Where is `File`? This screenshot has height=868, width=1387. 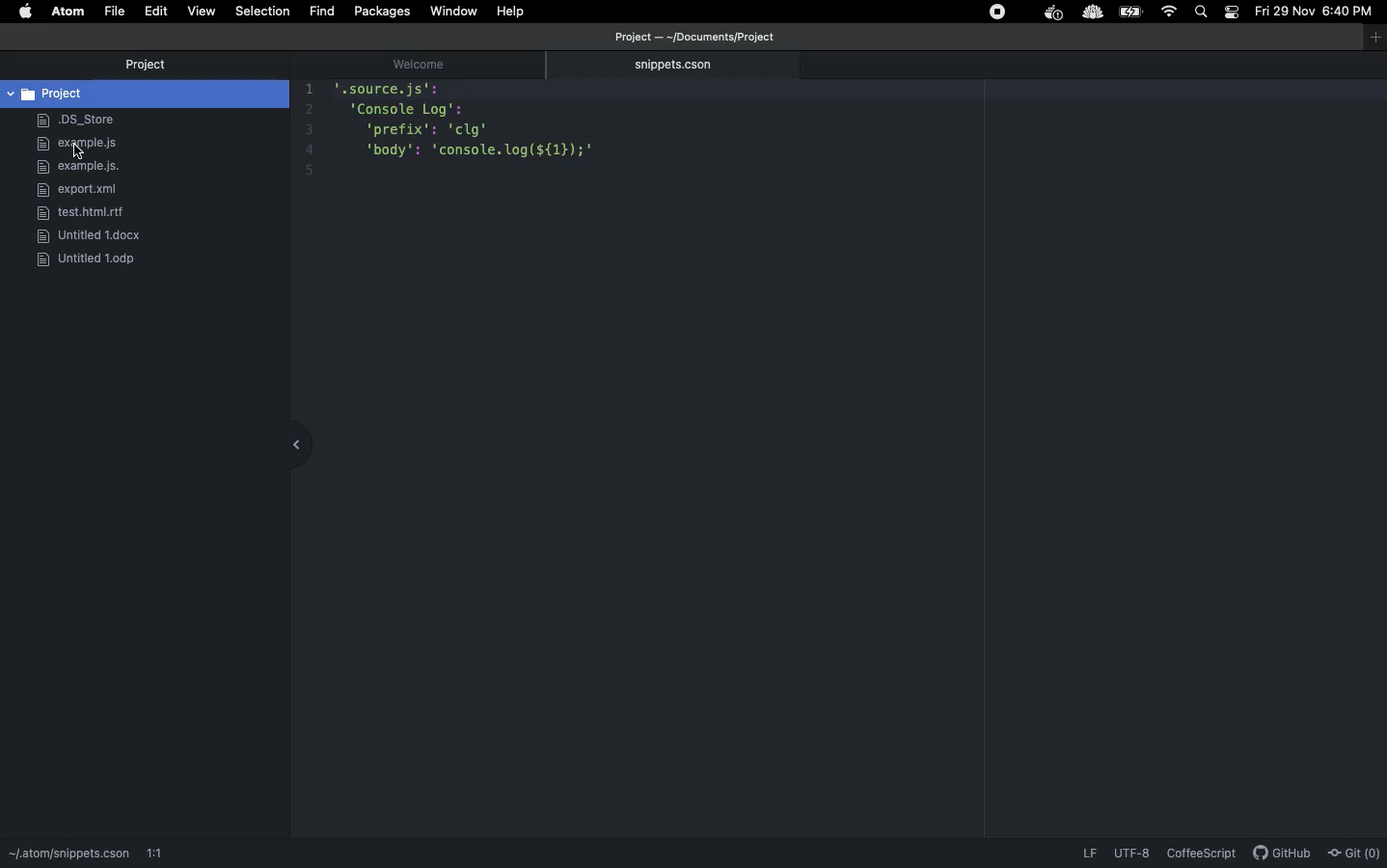 File is located at coordinates (115, 12).